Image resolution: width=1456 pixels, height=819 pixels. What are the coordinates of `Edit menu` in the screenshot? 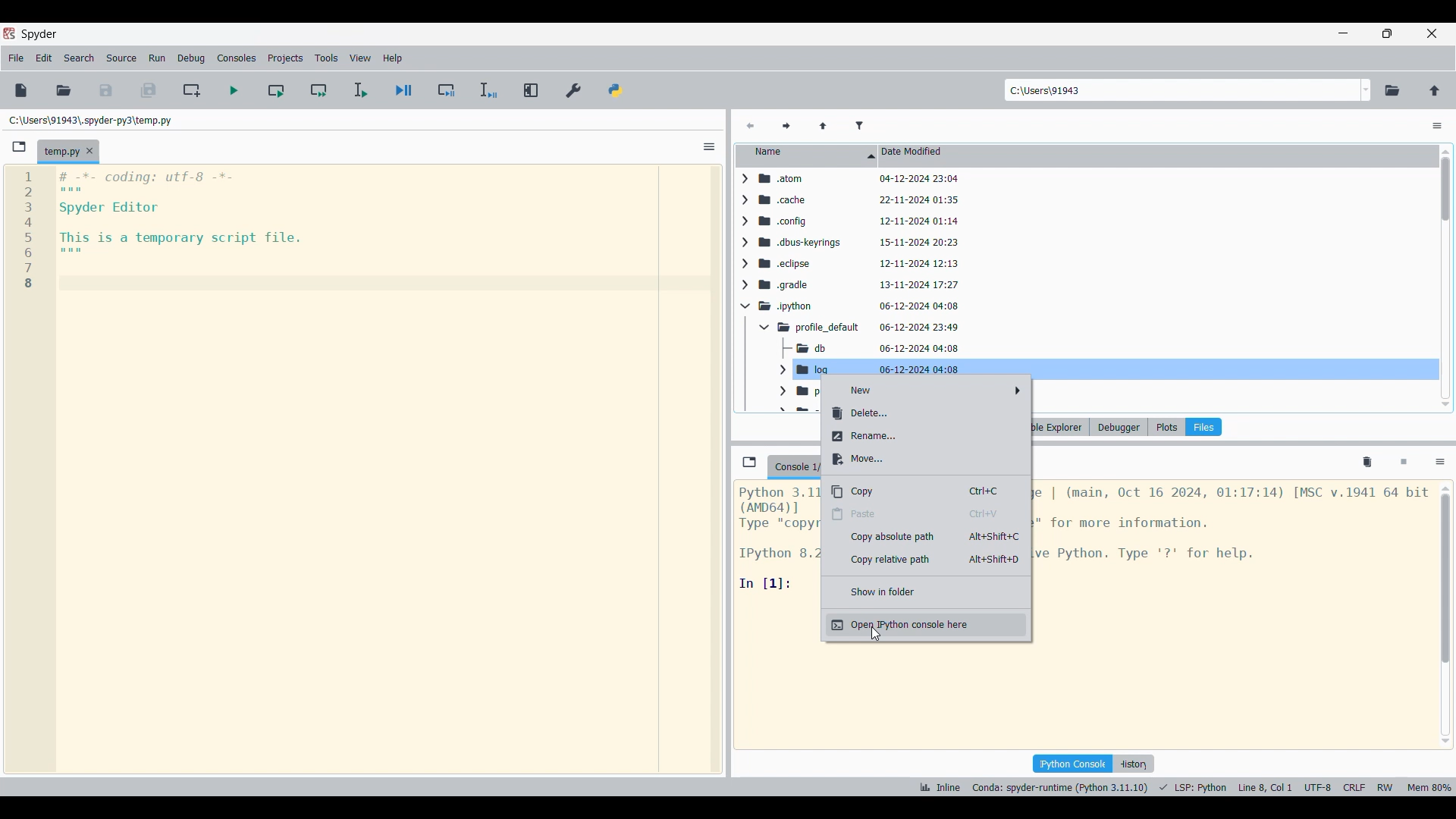 It's located at (44, 58).